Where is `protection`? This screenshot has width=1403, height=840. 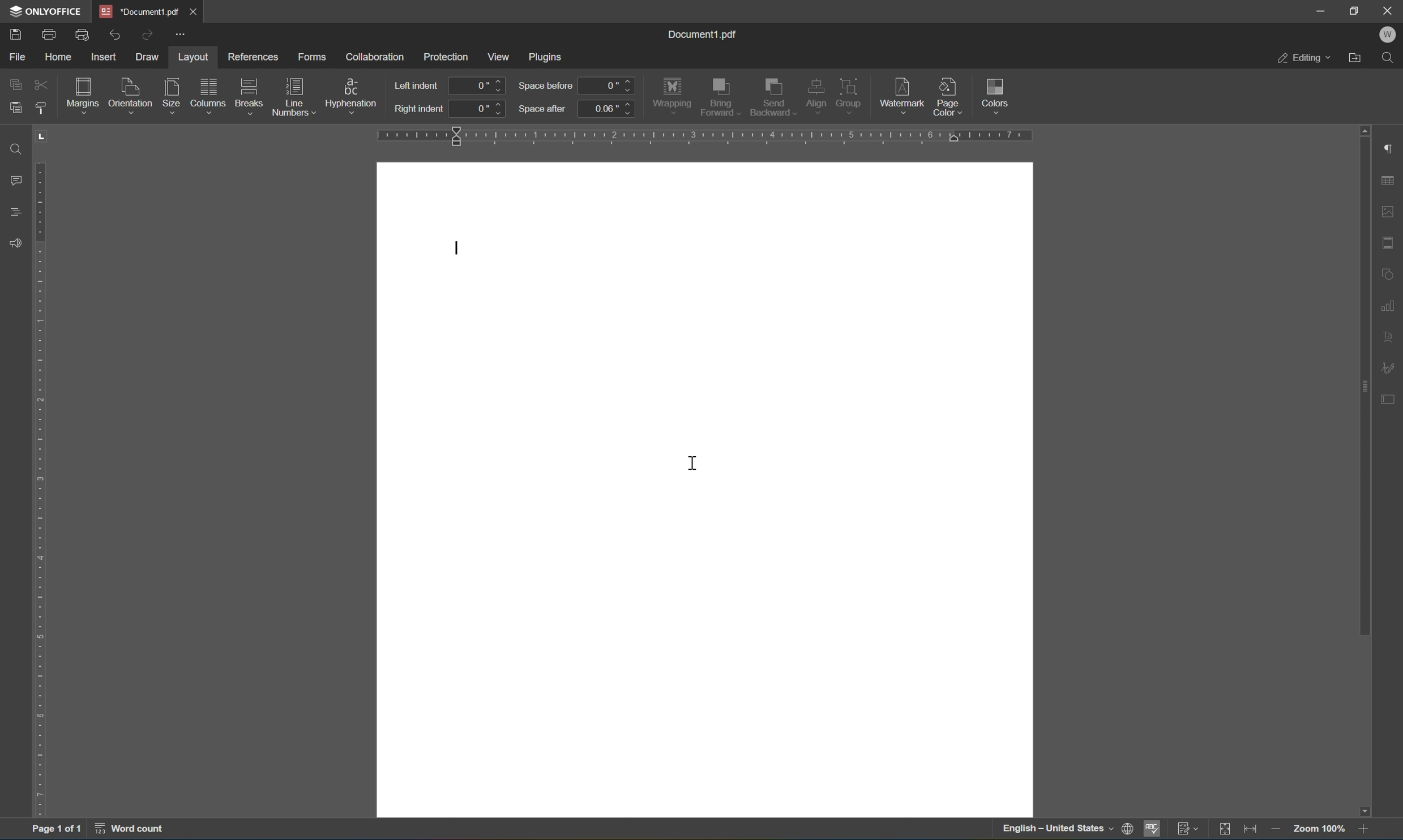
protection is located at coordinates (446, 55).